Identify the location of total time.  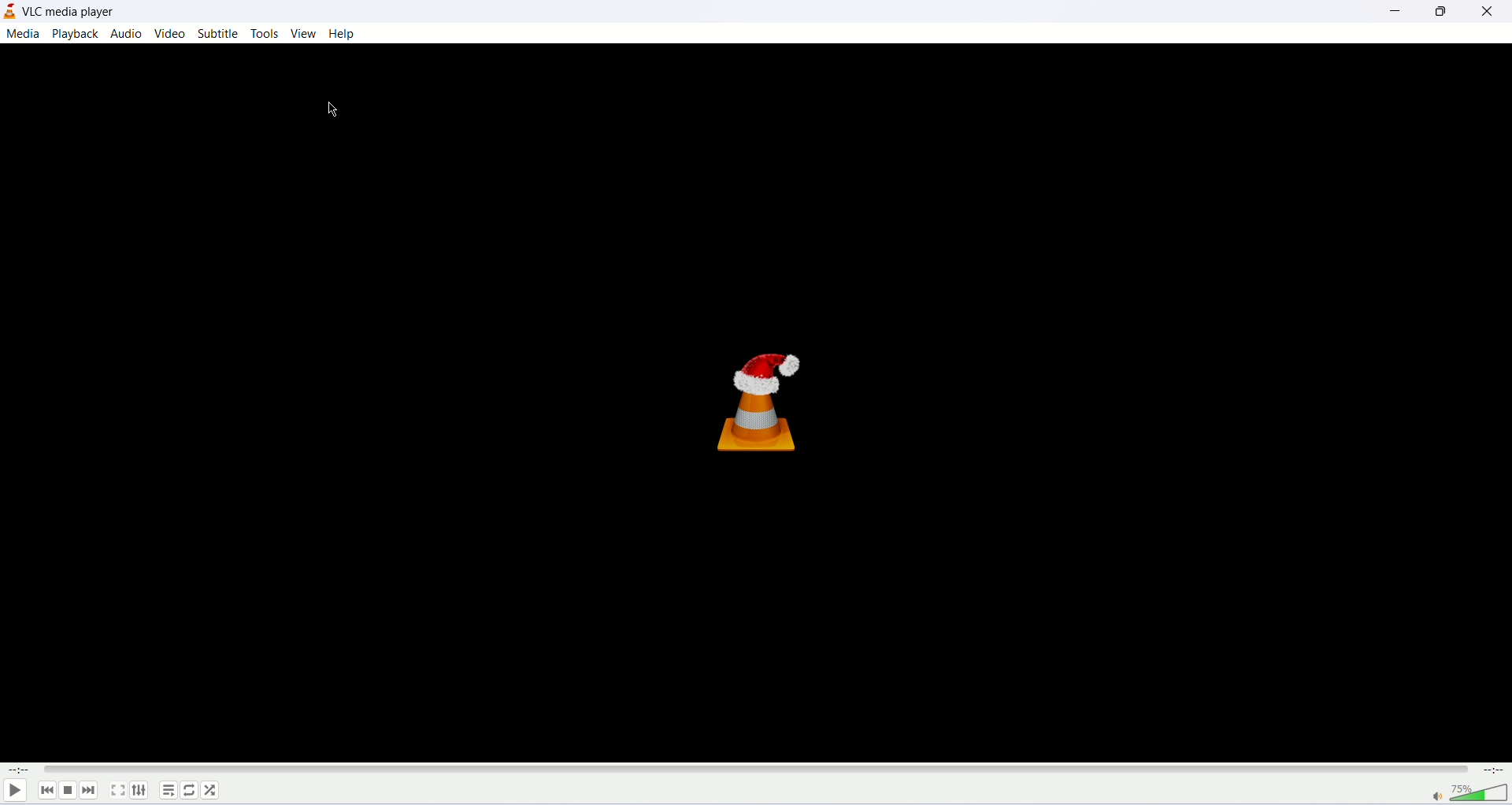
(1496, 771).